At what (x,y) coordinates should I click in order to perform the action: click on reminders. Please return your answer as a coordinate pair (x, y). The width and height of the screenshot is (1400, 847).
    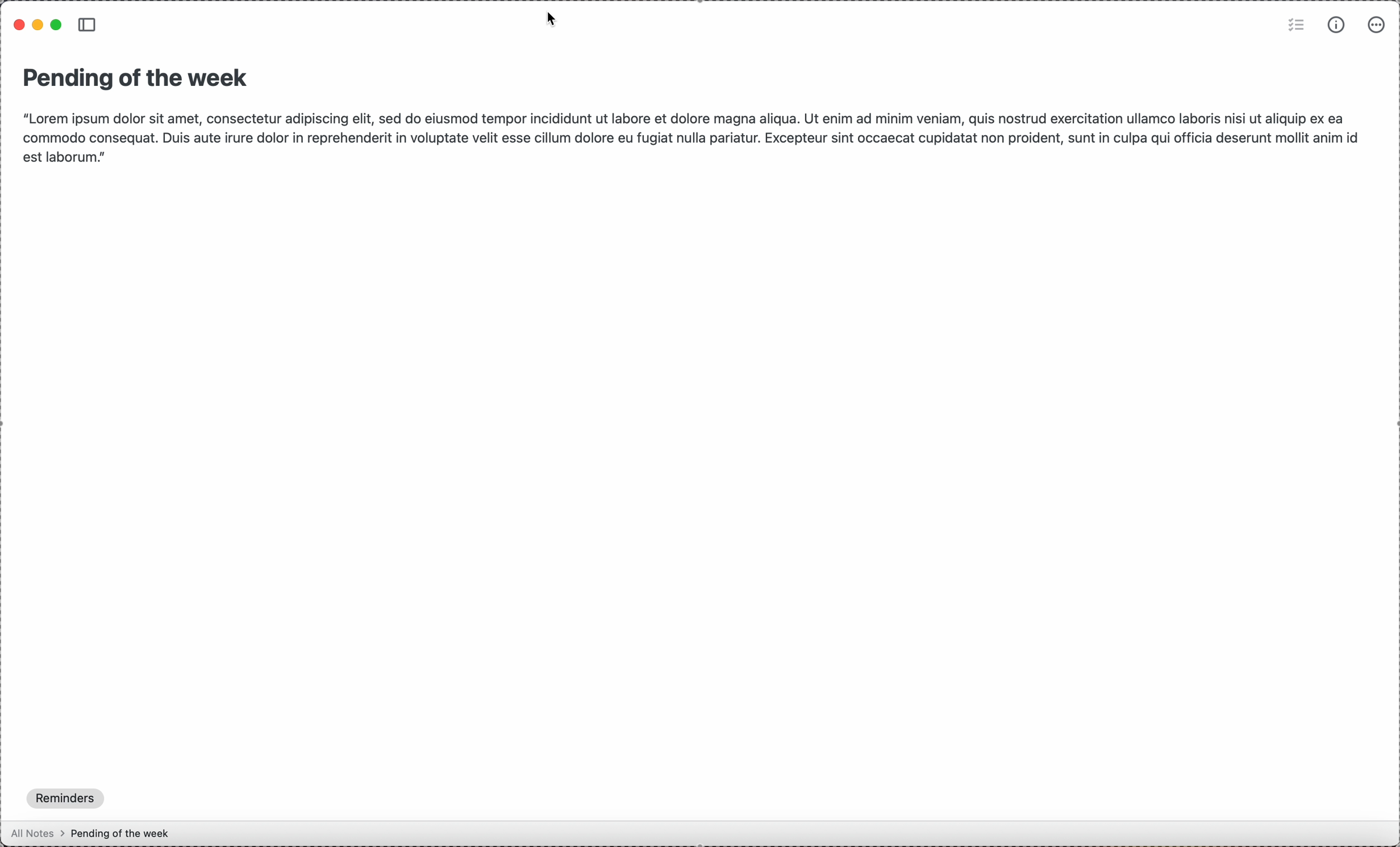
    Looking at the image, I should click on (67, 798).